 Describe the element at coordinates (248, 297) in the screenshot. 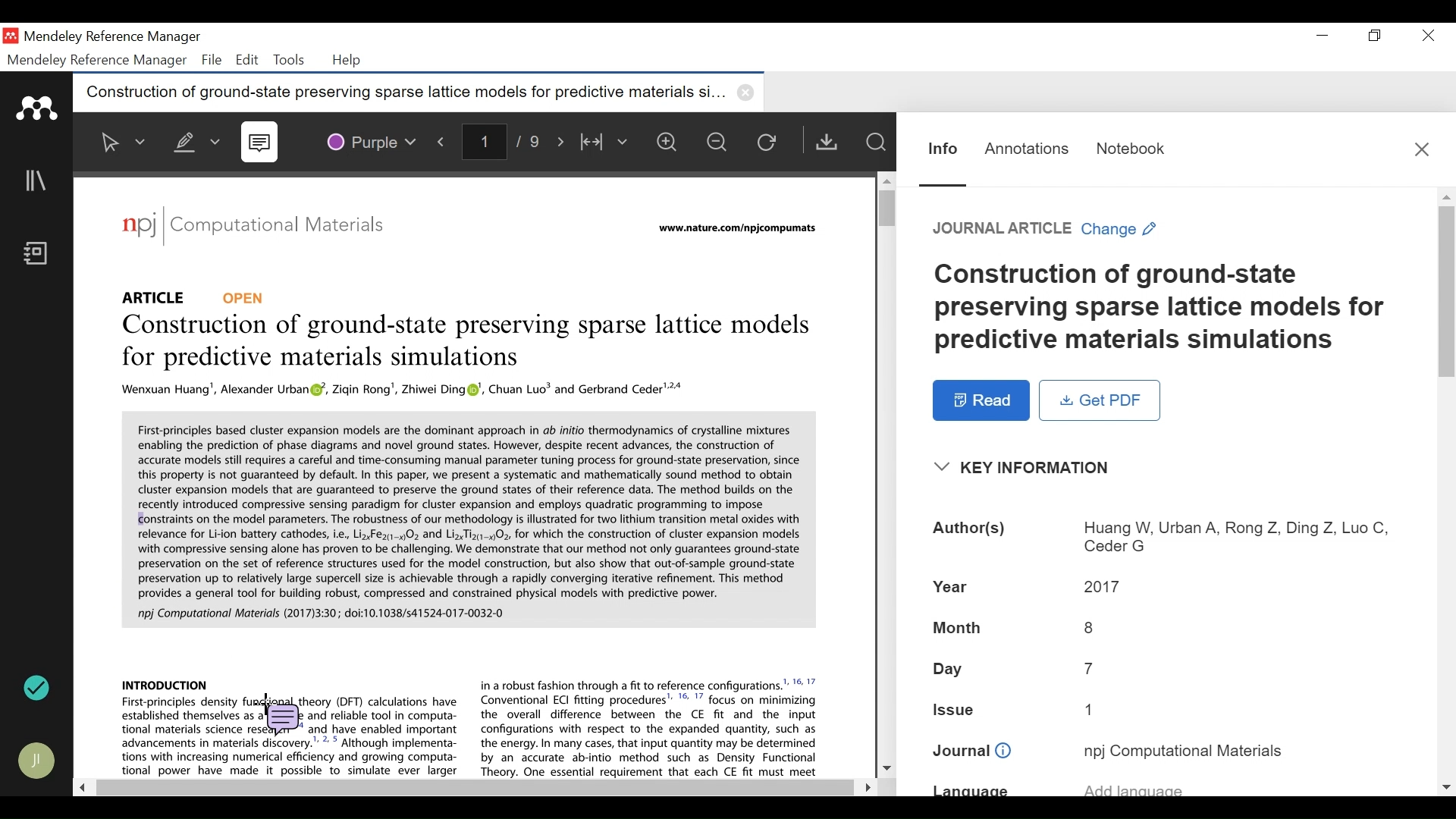

I see `OPEN` at that location.